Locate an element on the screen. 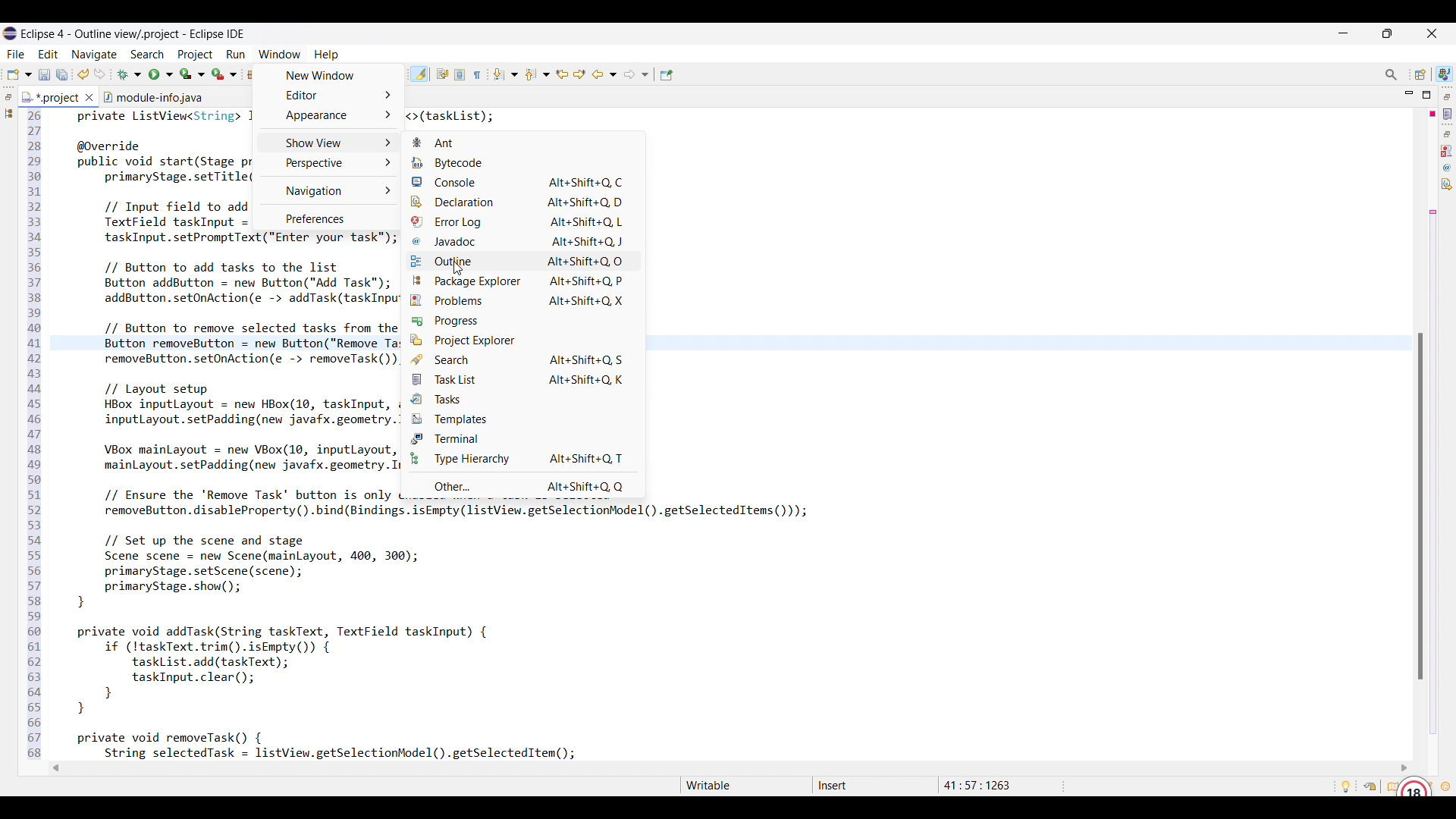 This screenshot has width=1456, height=819. Show in smaller tab is located at coordinates (1387, 33).